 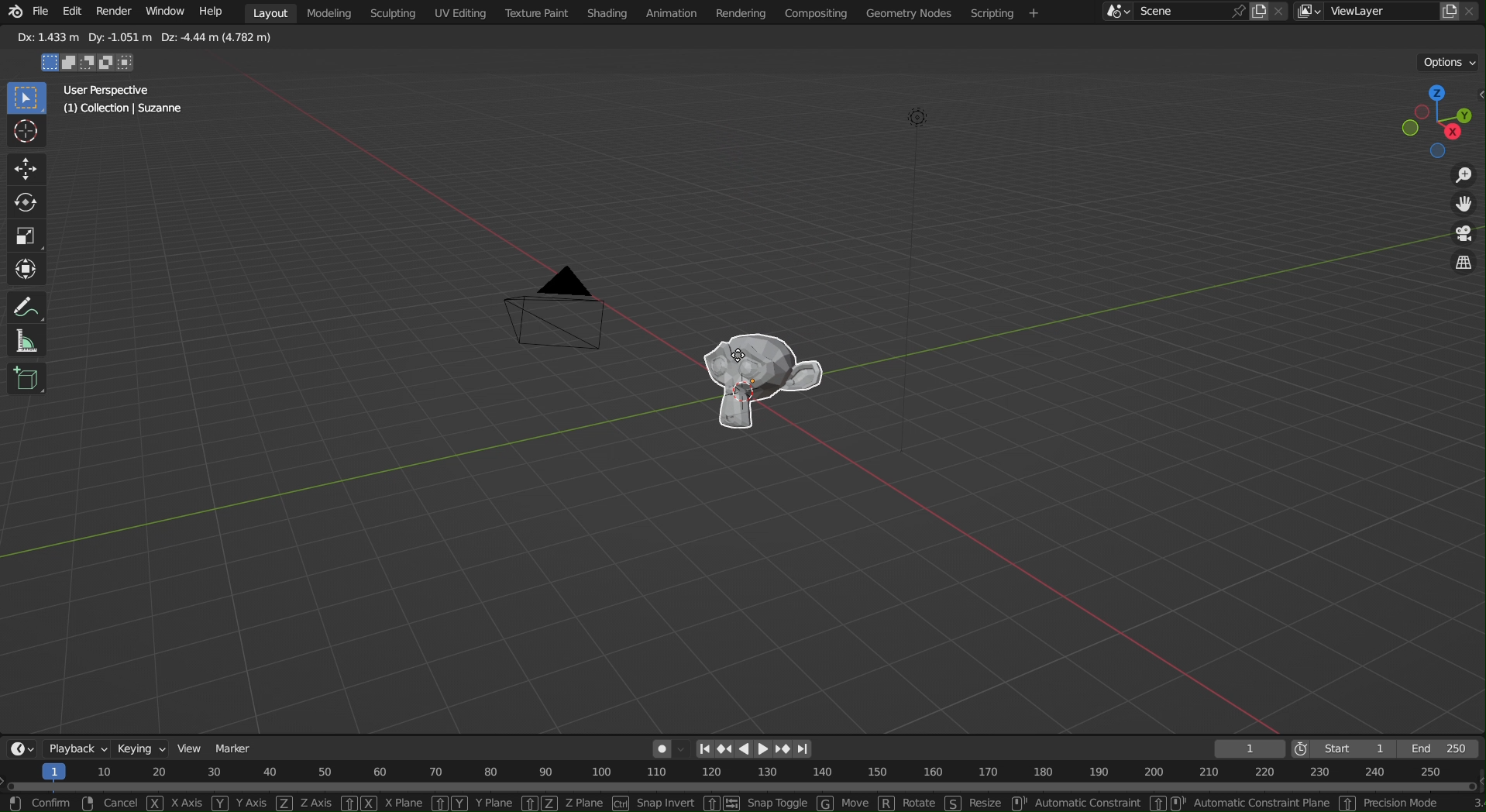 I want to click on X, so click(x=156, y=802).